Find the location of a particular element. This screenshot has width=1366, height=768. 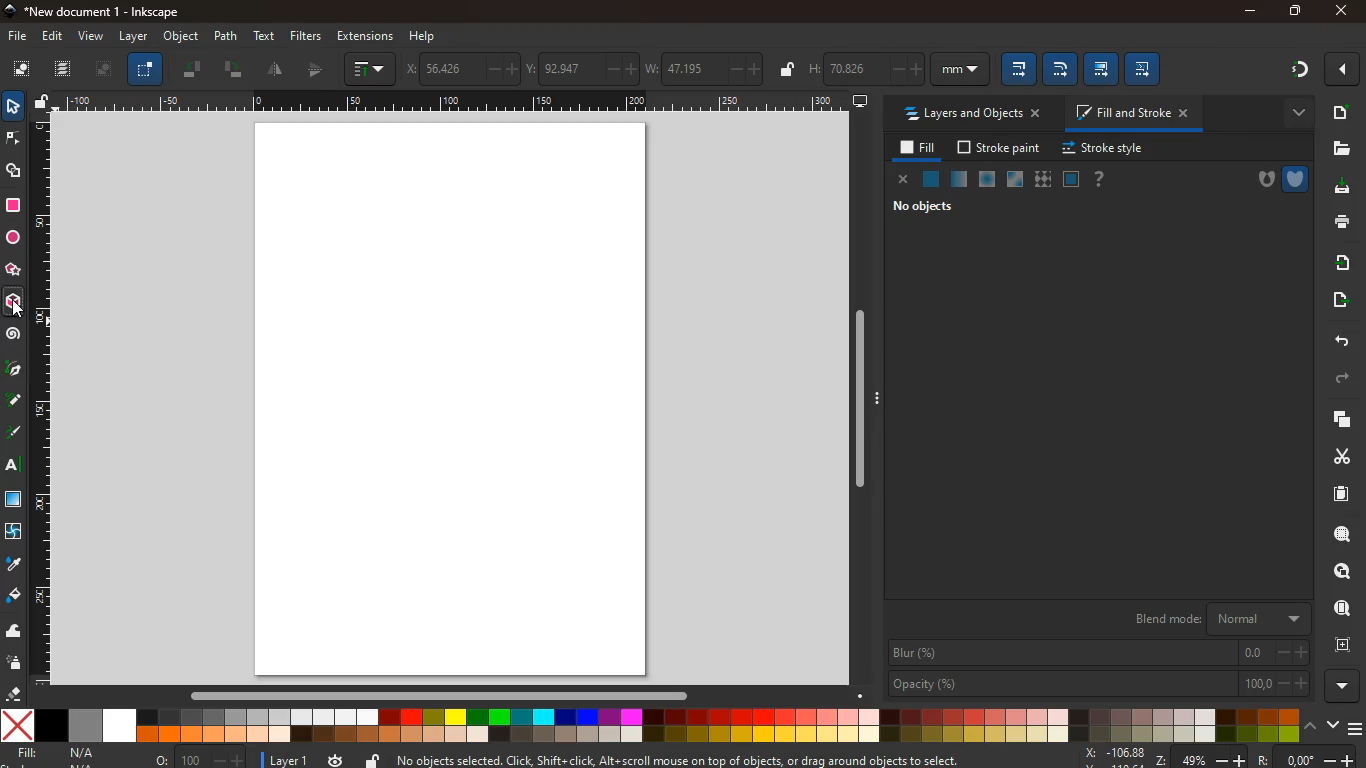

divide is located at coordinates (317, 71).